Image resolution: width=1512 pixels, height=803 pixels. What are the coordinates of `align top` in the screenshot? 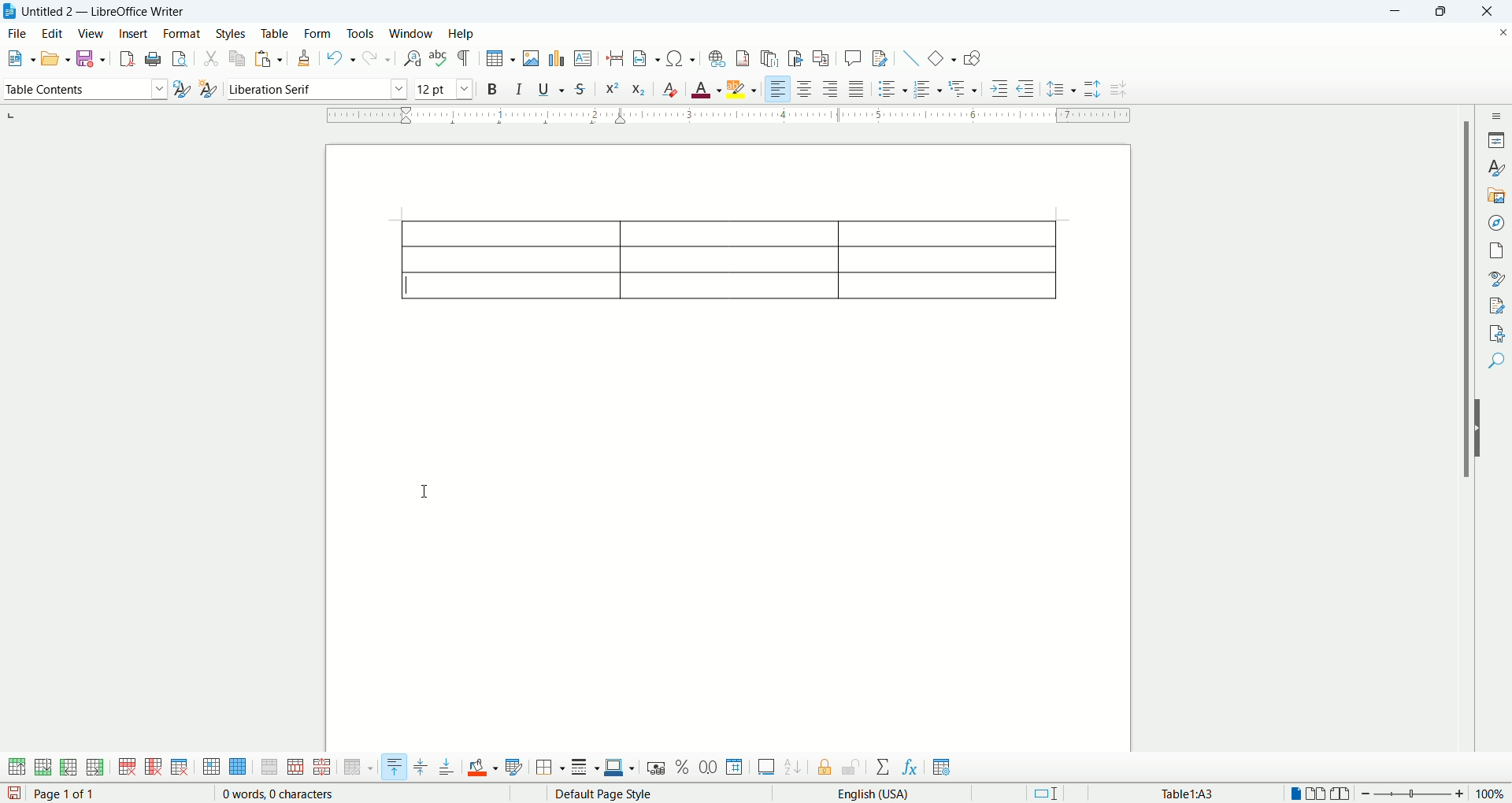 It's located at (395, 767).